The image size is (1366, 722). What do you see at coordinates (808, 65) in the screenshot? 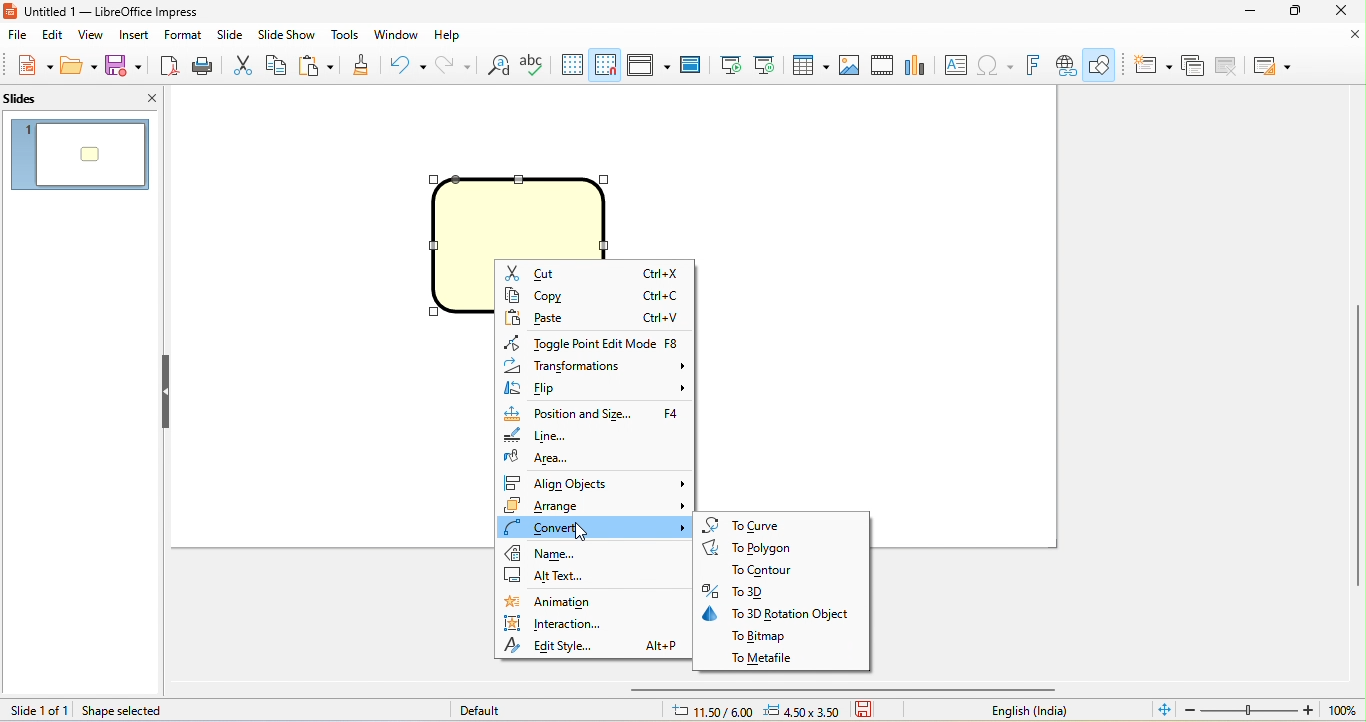
I see `table` at bounding box center [808, 65].